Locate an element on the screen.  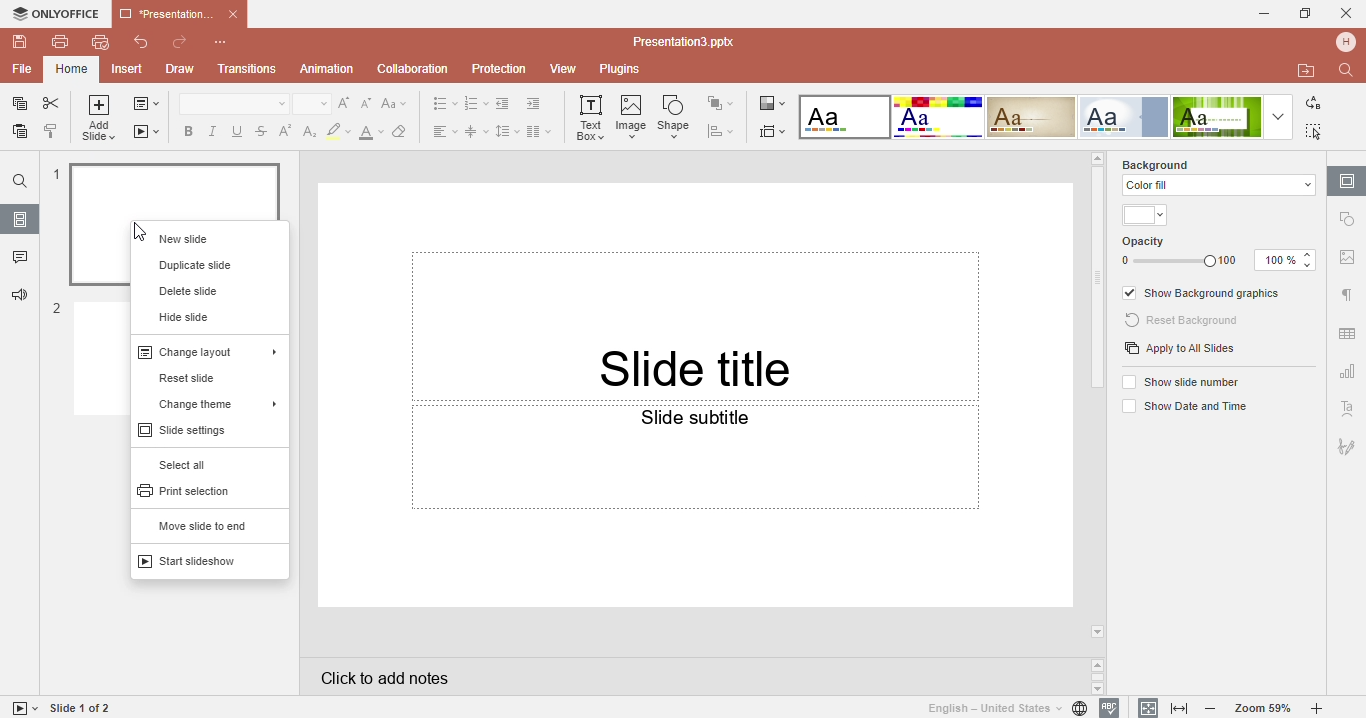
Close is located at coordinates (1347, 10).